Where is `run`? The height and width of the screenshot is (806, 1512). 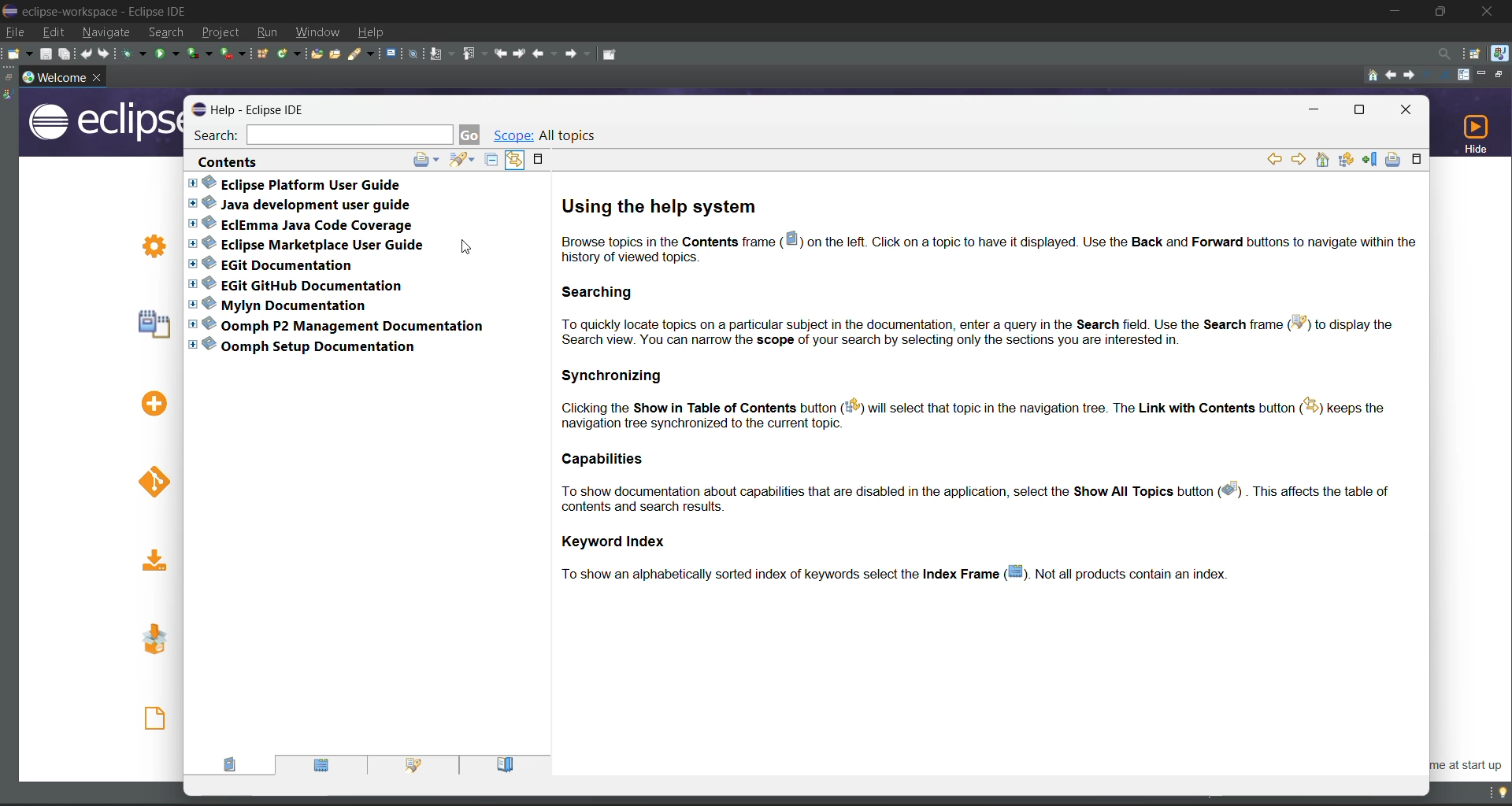
run is located at coordinates (272, 33).